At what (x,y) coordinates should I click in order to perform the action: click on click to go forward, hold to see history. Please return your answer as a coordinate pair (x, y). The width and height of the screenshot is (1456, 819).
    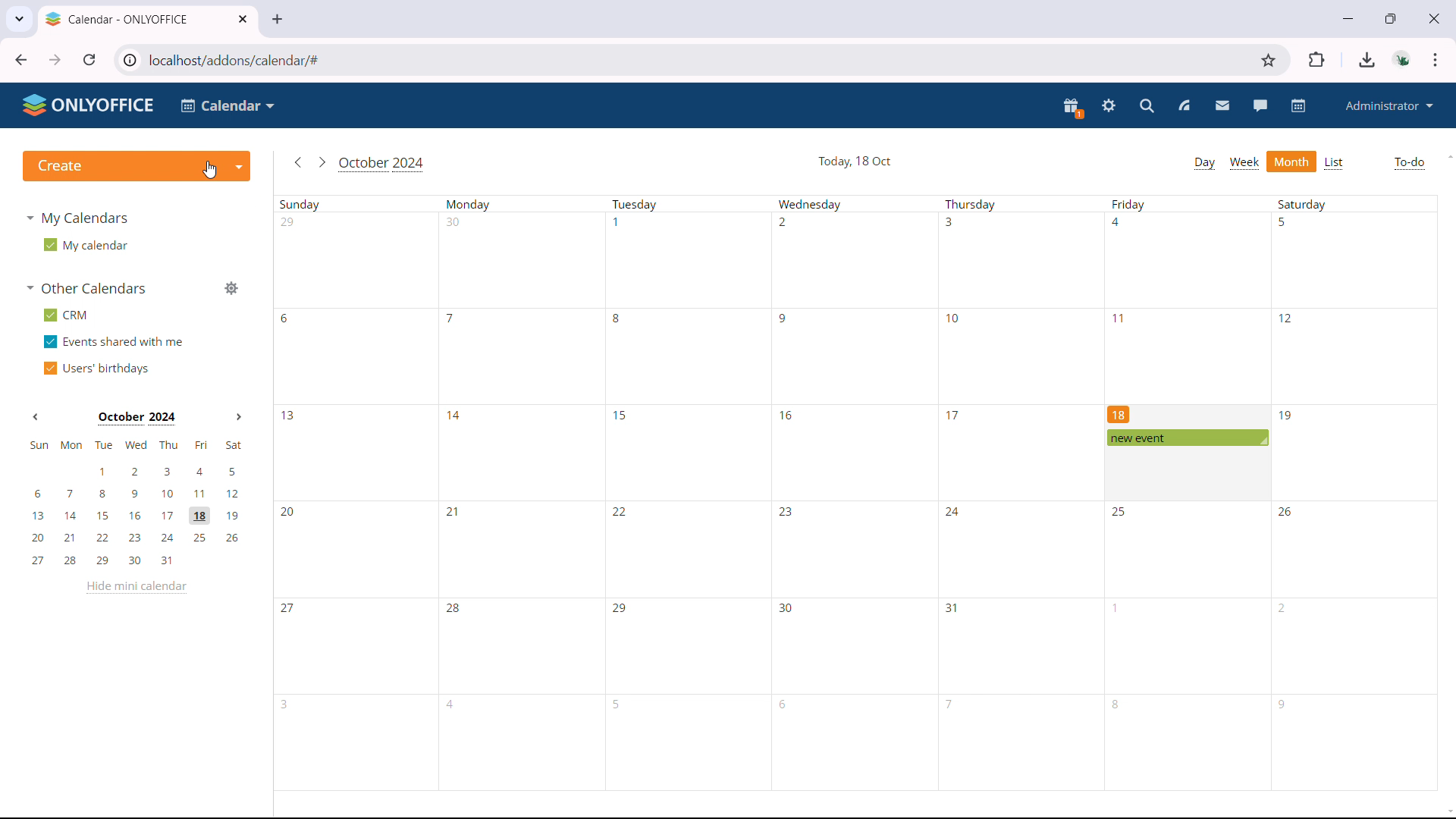
    Looking at the image, I should click on (55, 60).